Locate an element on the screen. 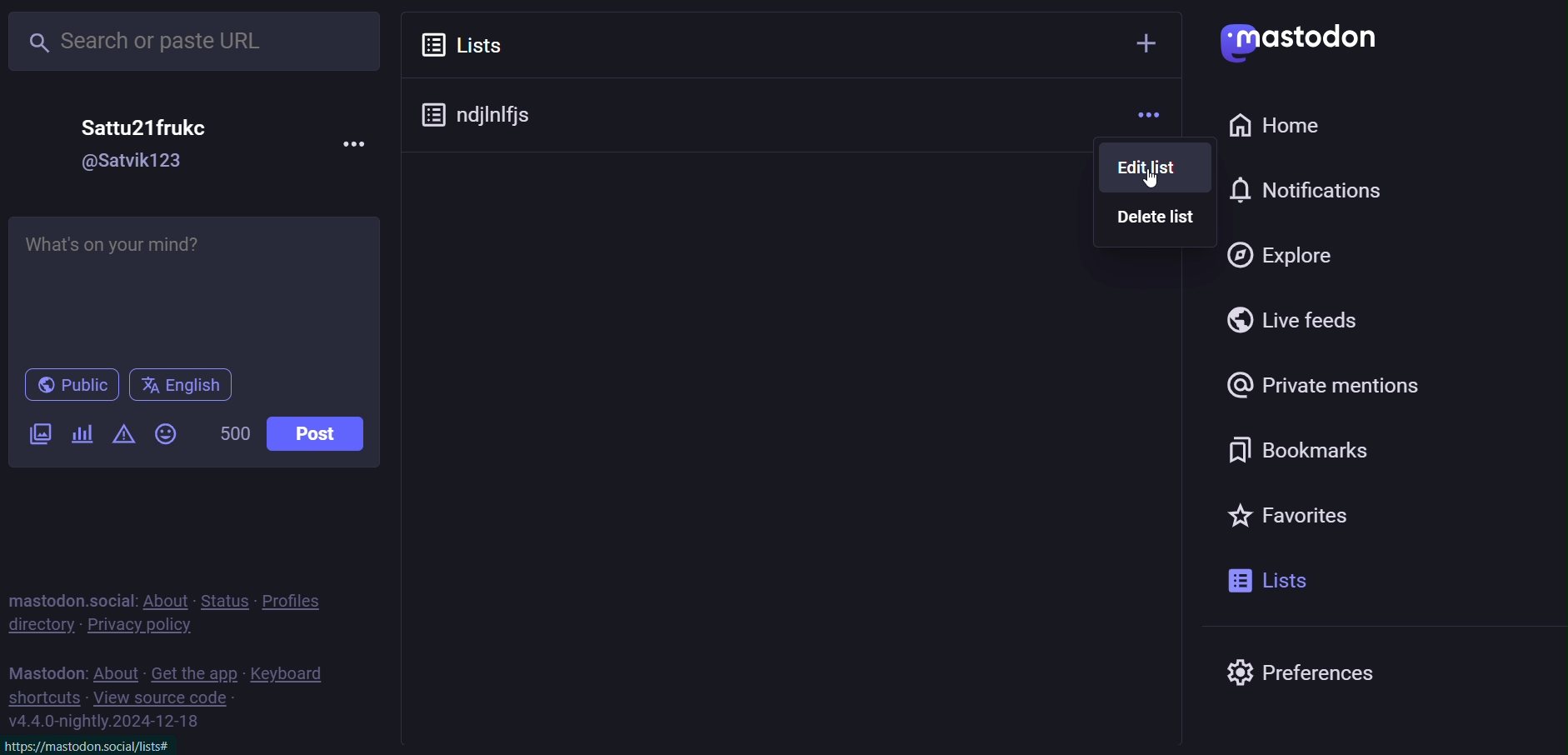  lists is located at coordinates (464, 46).